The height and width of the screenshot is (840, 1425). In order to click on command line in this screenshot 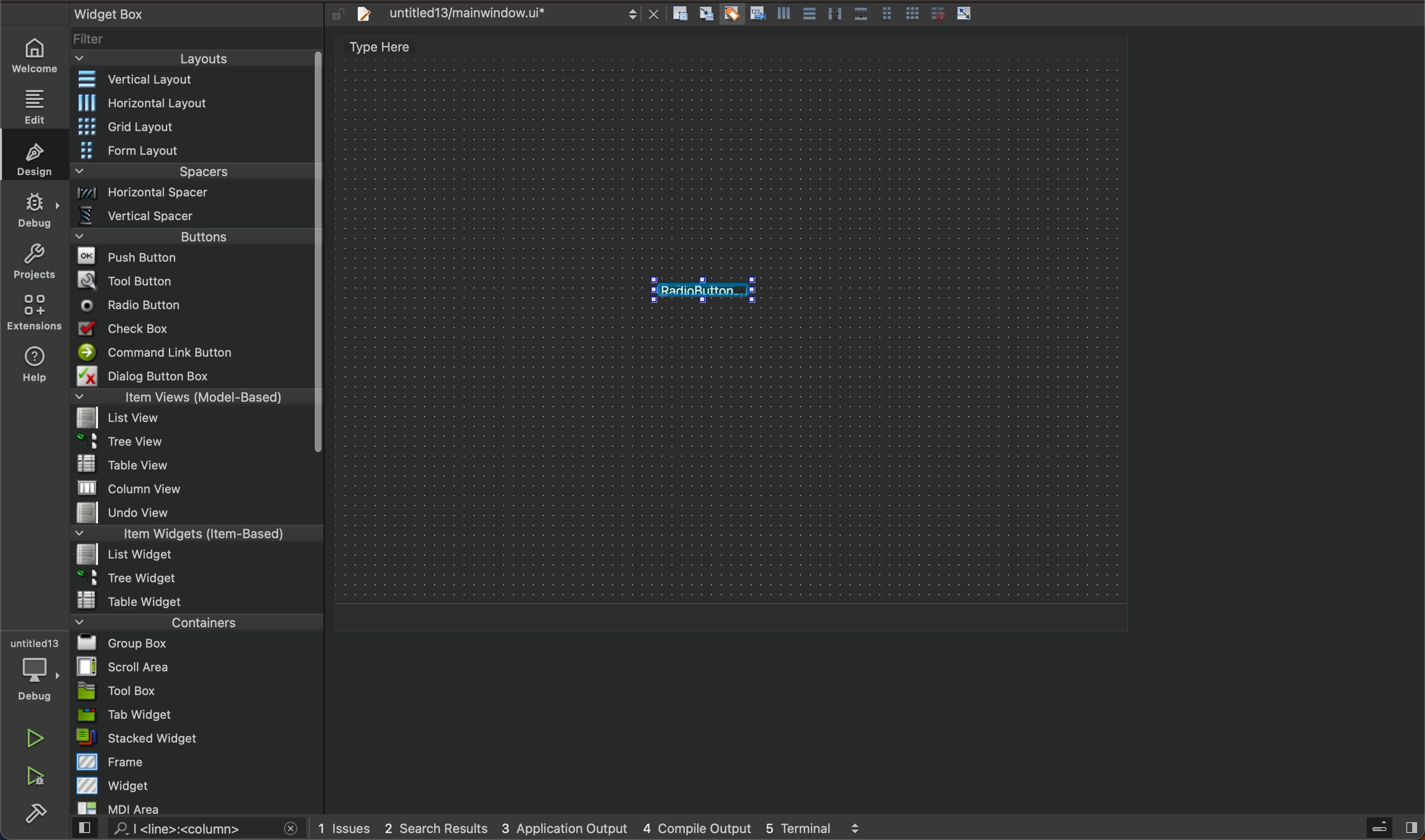, I will do `click(192, 353)`.